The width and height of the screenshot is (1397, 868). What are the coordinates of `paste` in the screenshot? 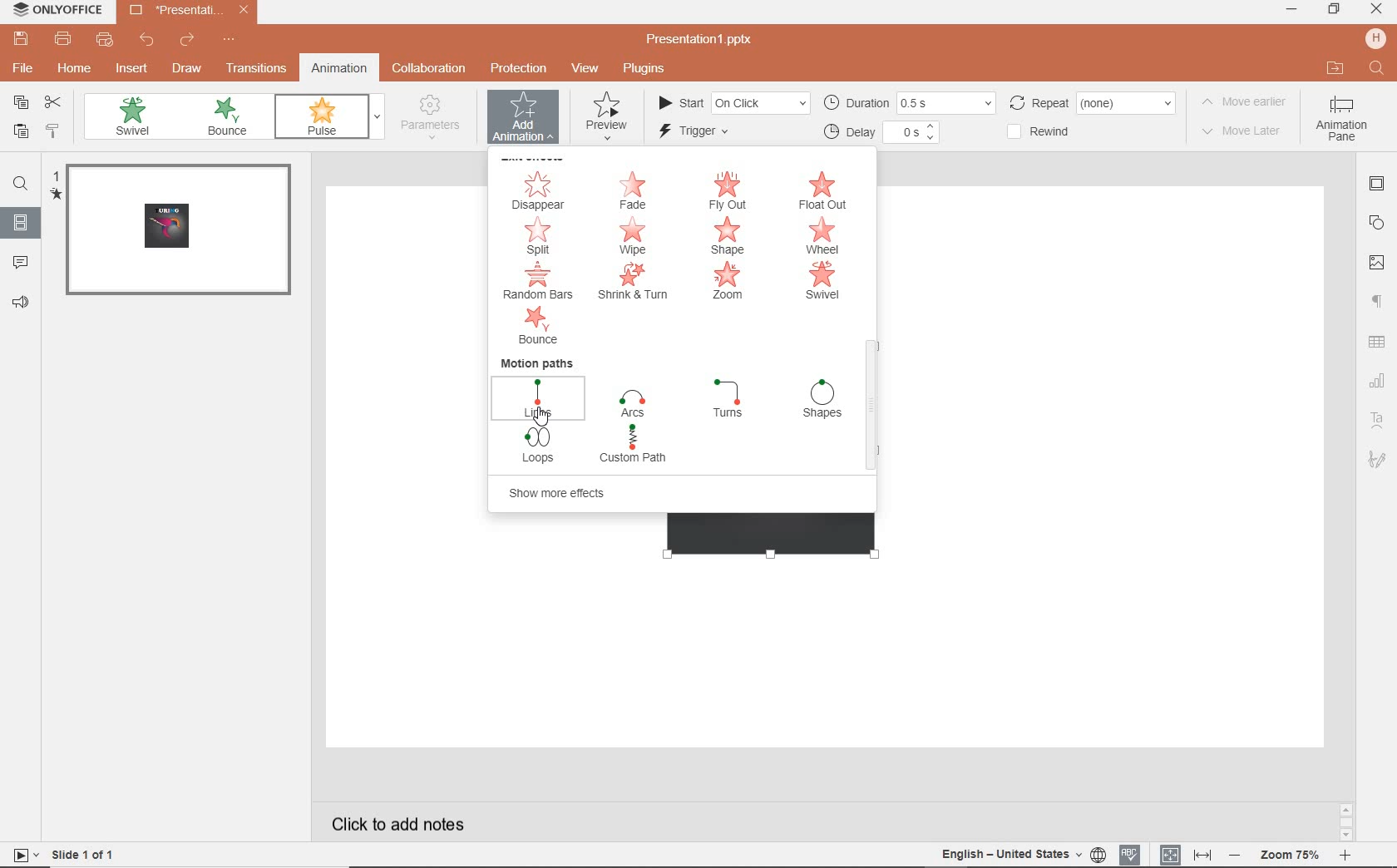 It's located at (22, 134).